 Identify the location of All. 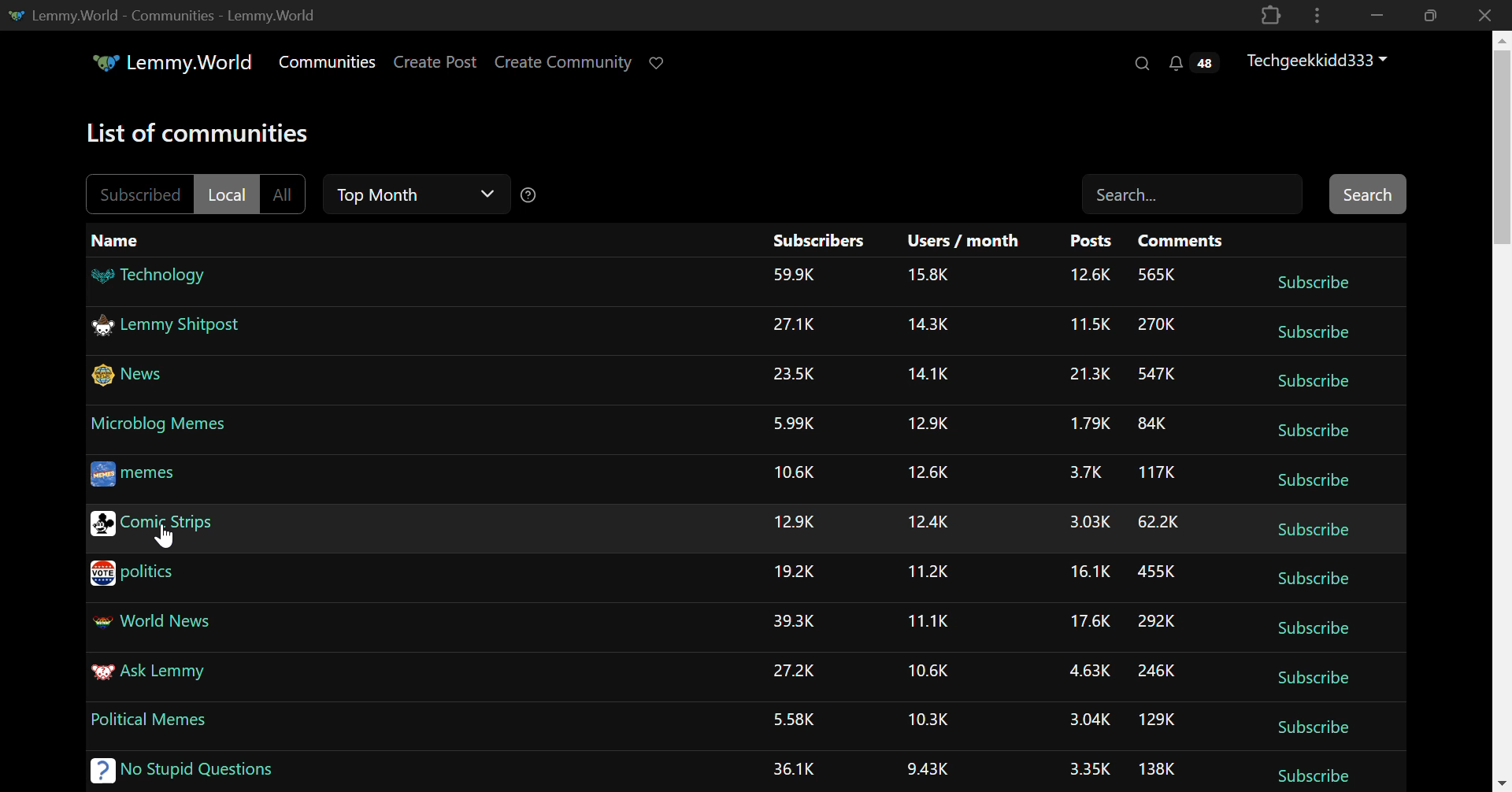
(285, 194).